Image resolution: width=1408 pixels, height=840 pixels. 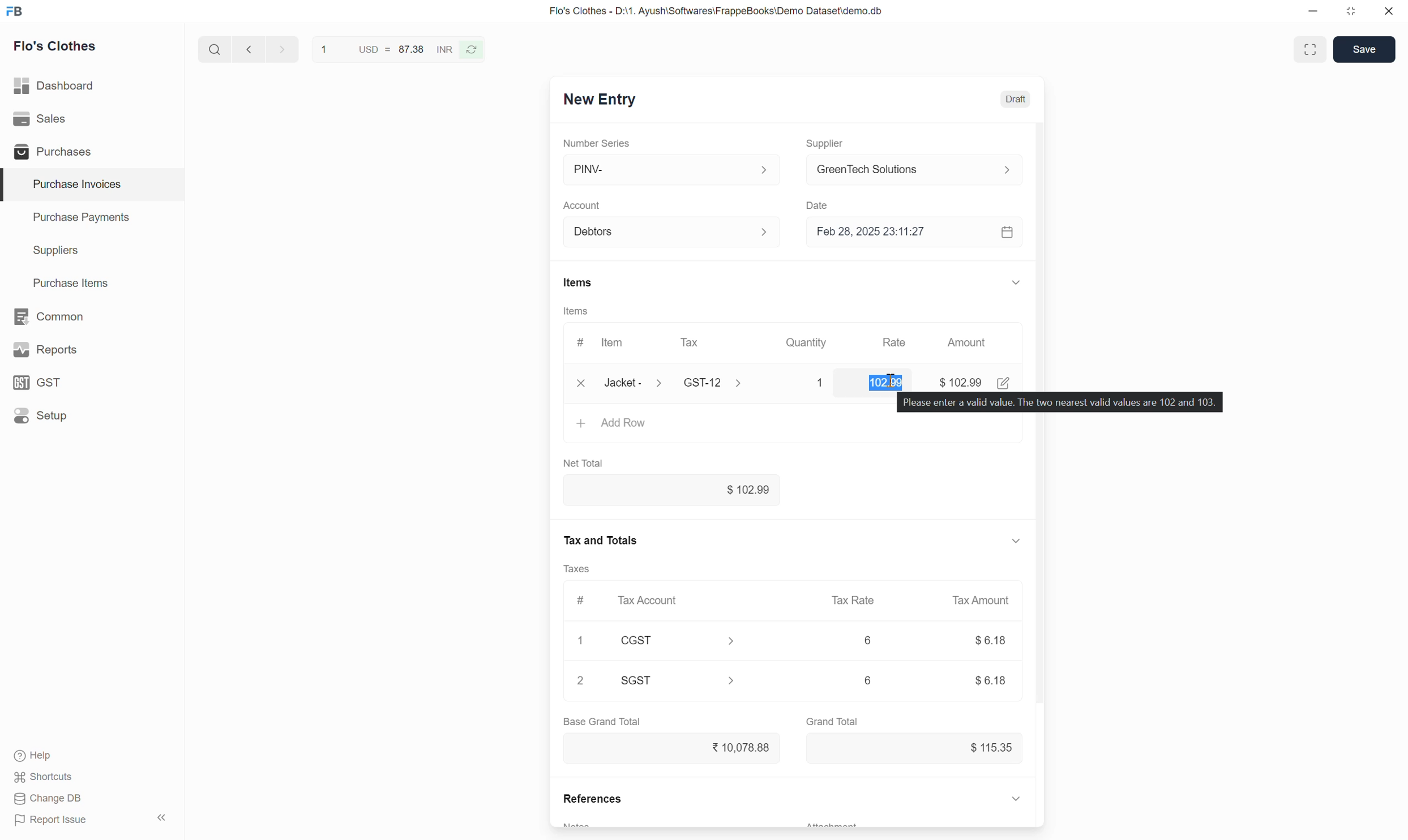 What do you see at coordinates (868, 640) in the screenshot?
I see `6` at bounding box center [868, 640].